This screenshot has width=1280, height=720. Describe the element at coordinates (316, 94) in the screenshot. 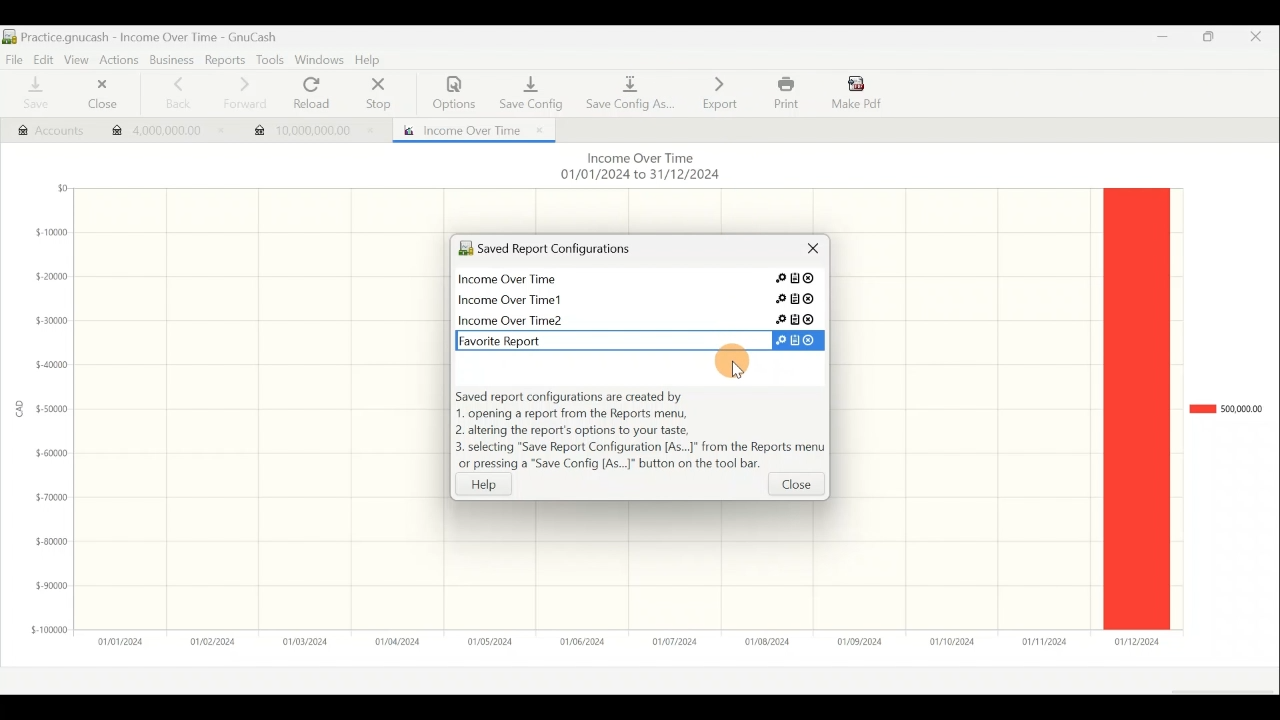

I see `Reload` at that location.